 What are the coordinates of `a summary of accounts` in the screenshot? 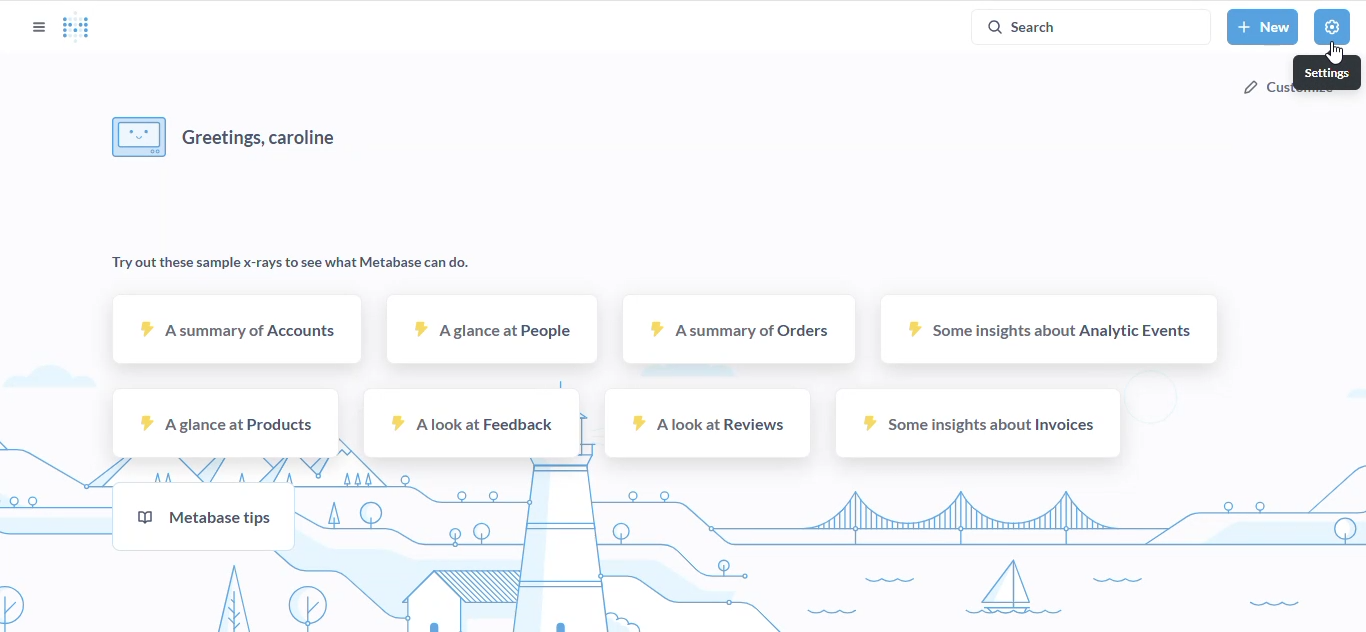 It's located at (236, 329).